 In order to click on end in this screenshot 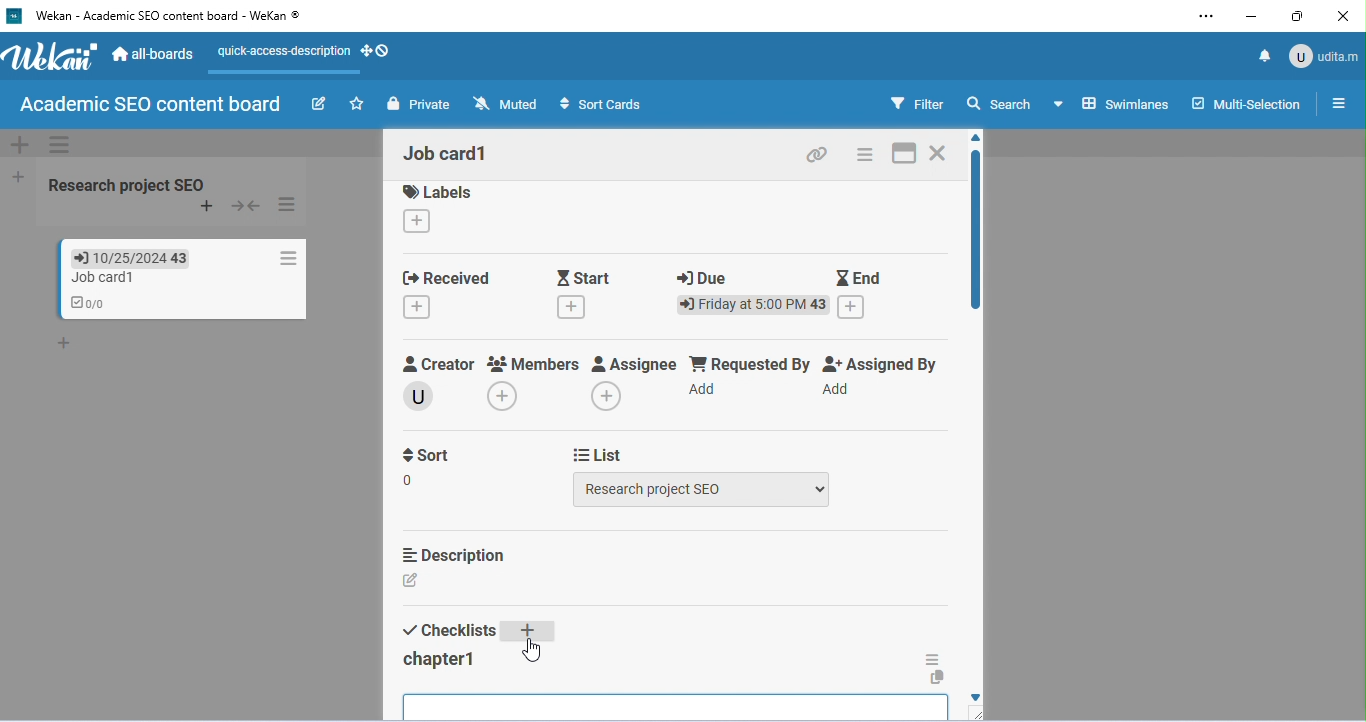, I will do `click(860, 280)`.